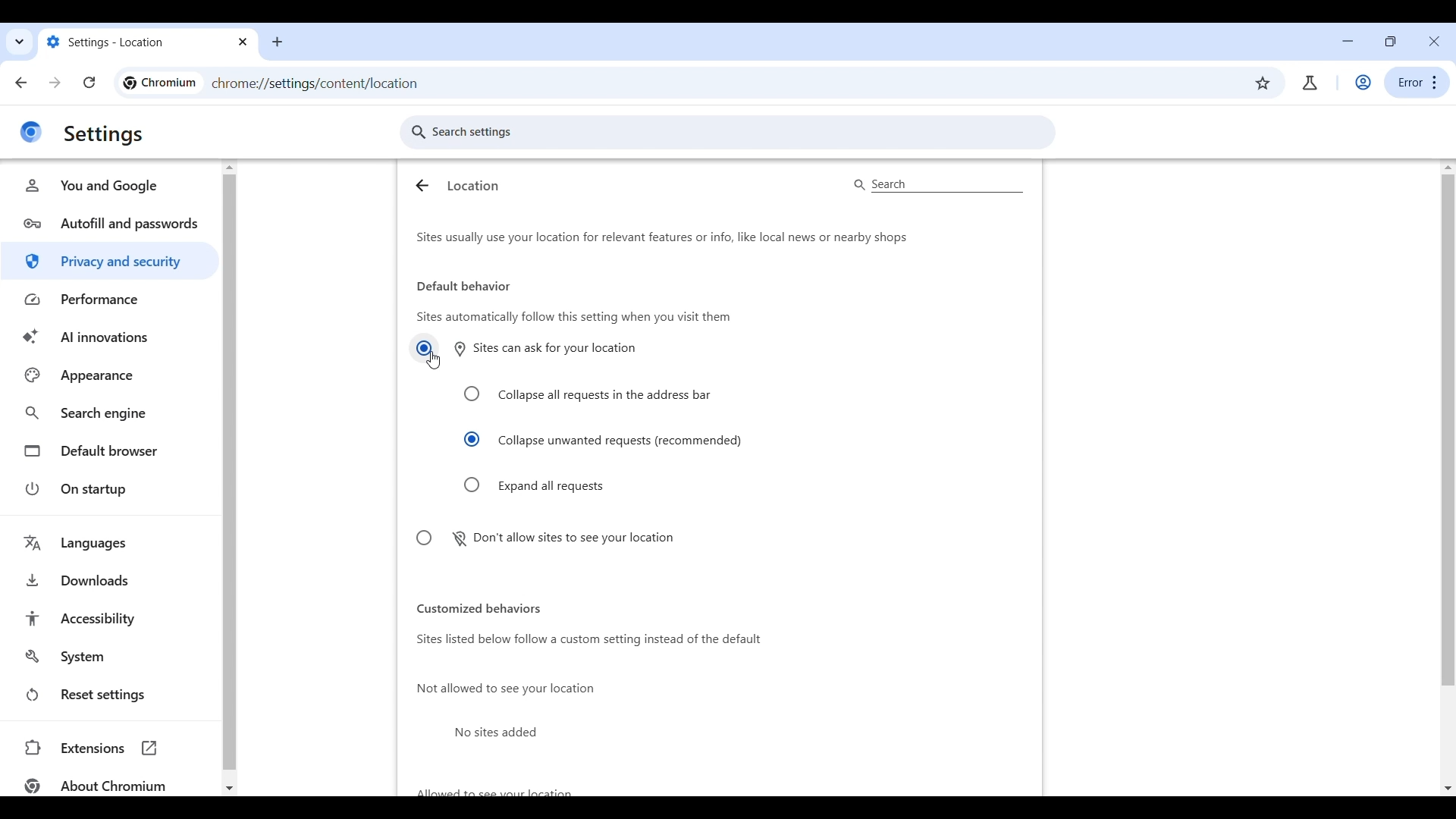 Image resolution: width=1456 pixels, height=819 pixels. What do you see at coordinates (1391, 41) in the screenshot?
I see `resize` at bounding box center [1391, 41].